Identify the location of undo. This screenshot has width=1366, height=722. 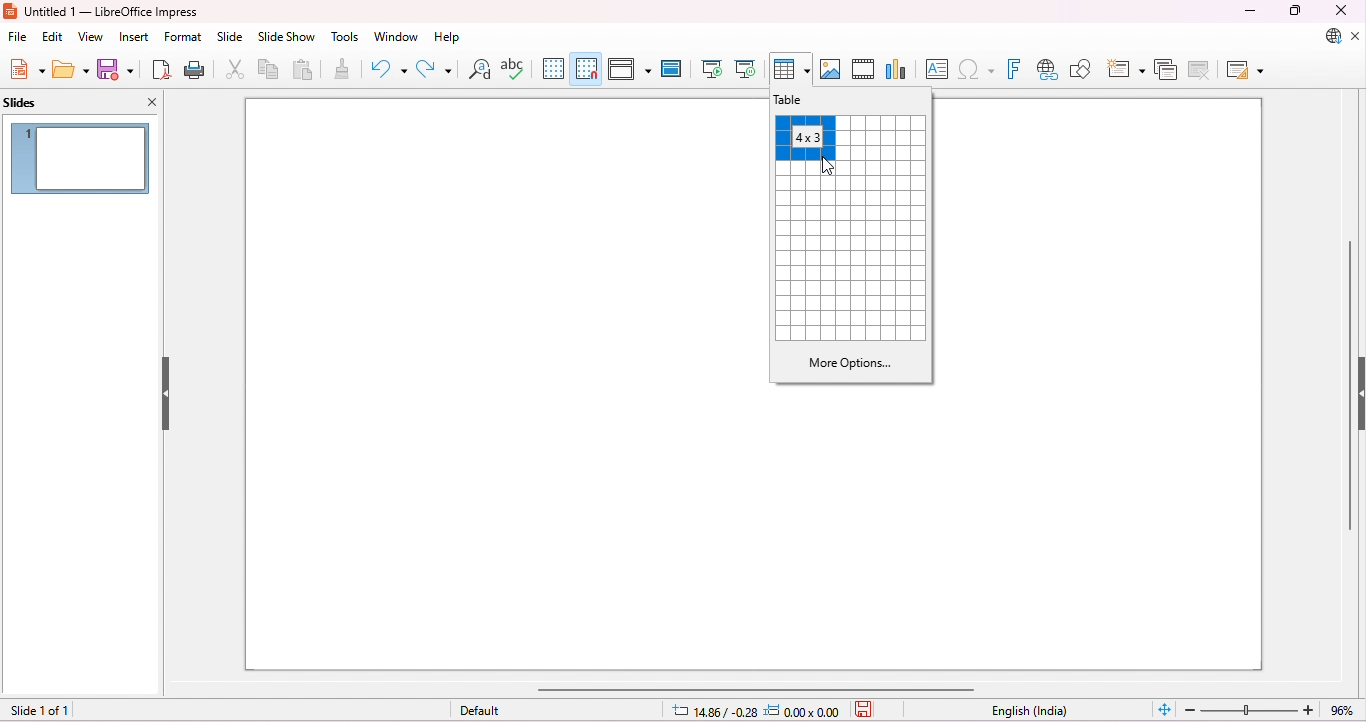
(388, 69).